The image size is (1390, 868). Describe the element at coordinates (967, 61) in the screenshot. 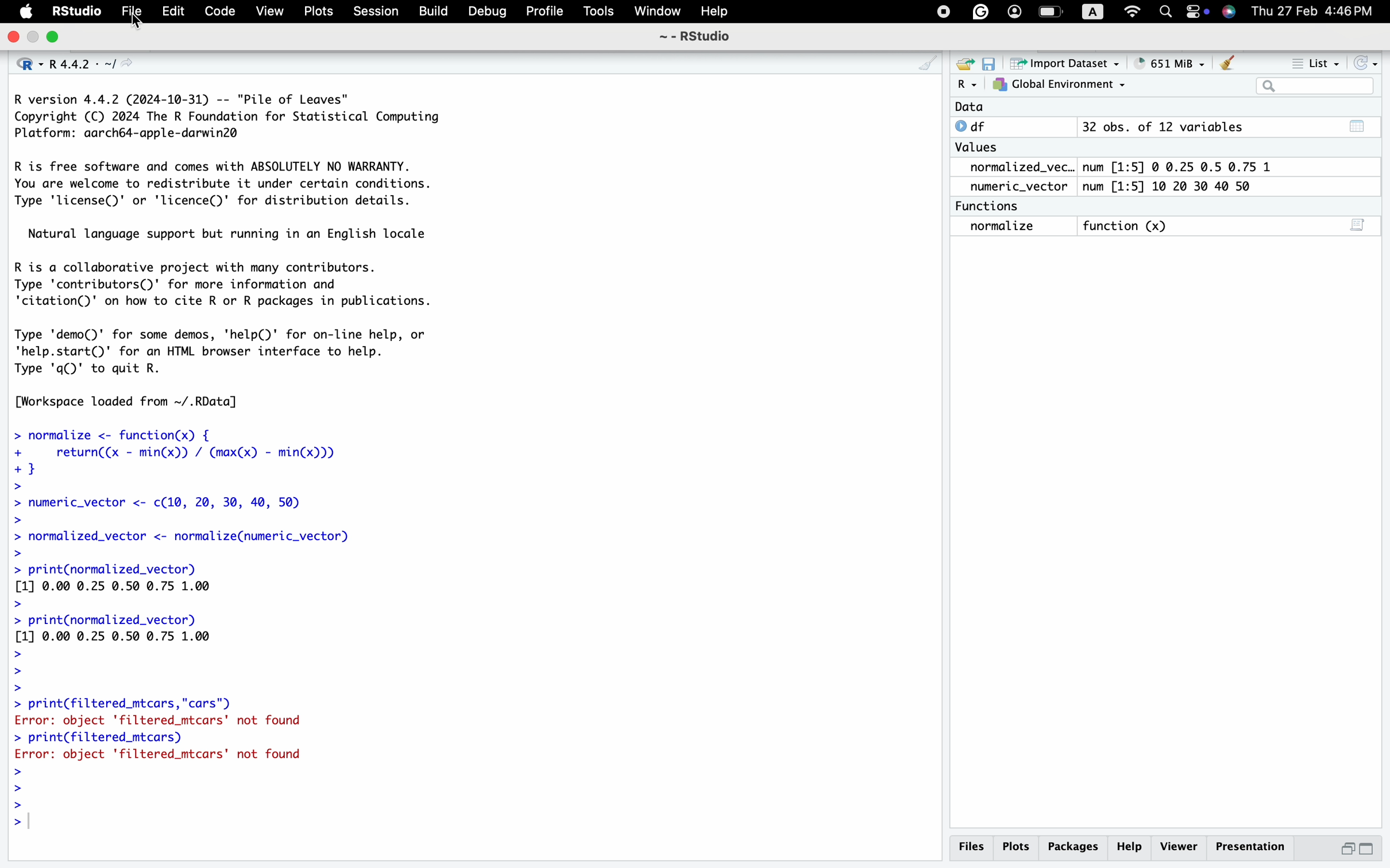

I see `new` at that location.